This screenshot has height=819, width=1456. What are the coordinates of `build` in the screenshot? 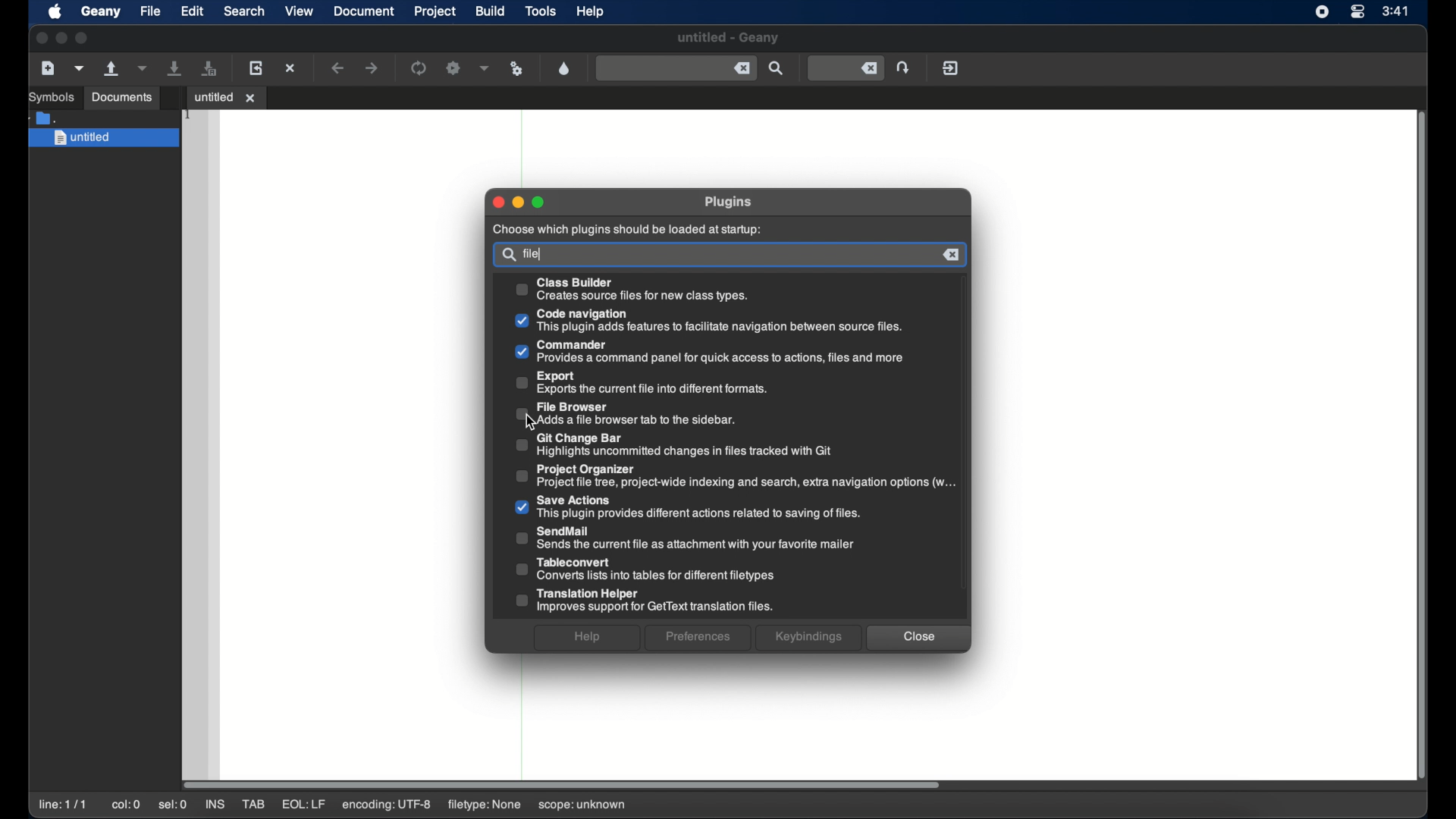 It's located at (491, 11).